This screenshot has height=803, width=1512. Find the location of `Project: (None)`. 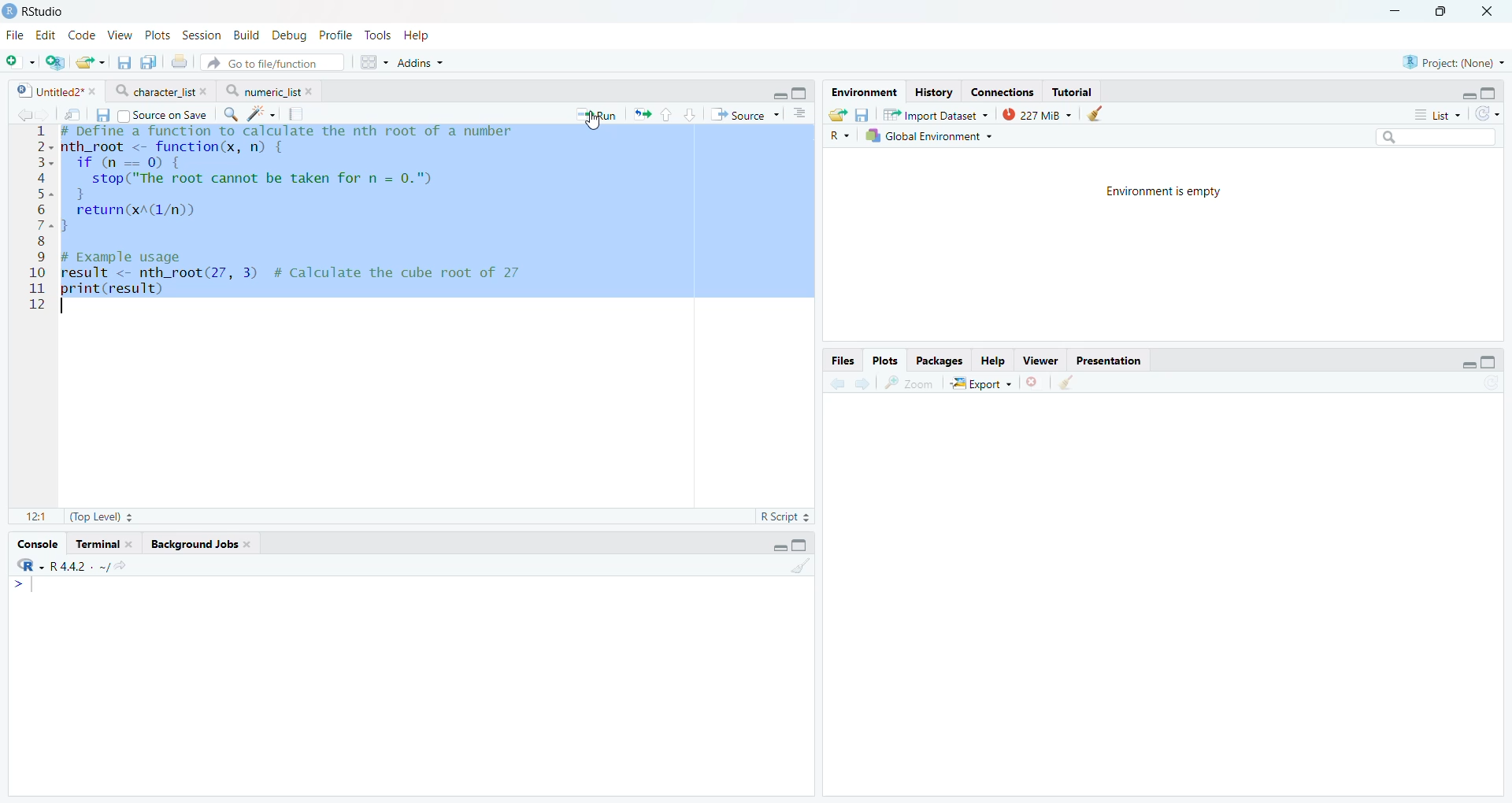

Project: (None) is located at coordinates (1454, 61).